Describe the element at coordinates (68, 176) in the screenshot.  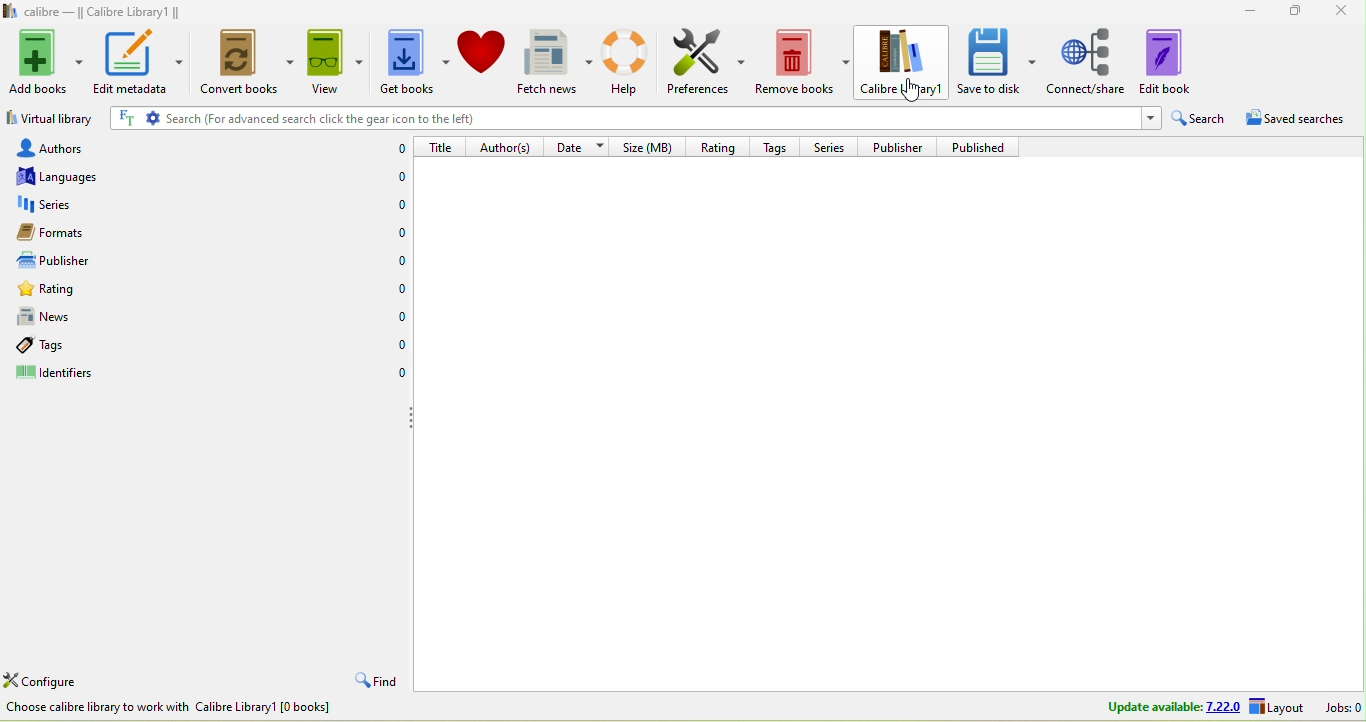
I see `languages` at that location.